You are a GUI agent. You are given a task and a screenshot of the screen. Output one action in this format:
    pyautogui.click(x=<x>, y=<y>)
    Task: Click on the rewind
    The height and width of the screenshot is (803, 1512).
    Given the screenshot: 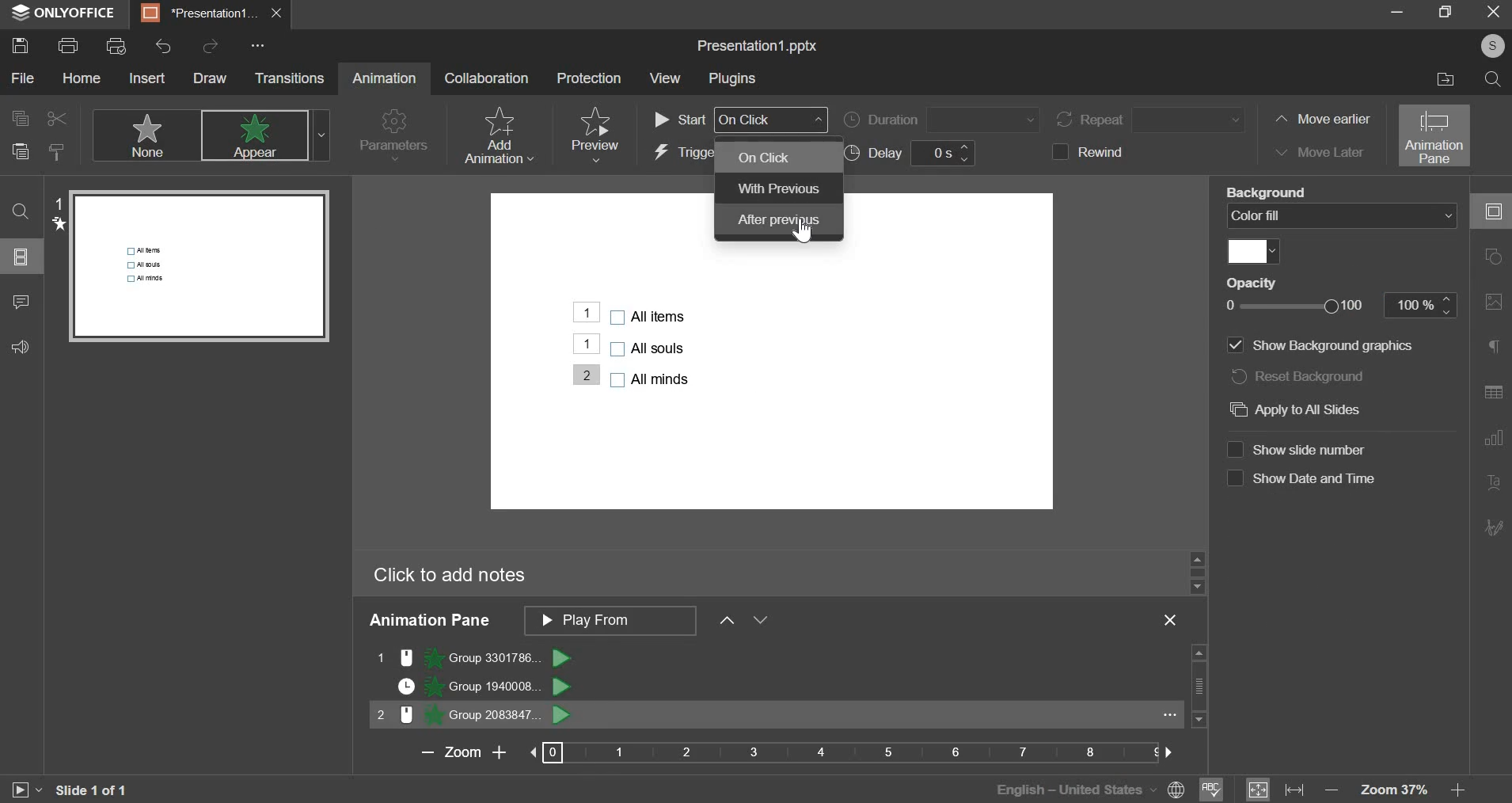 What is the action you would take?
    pyautogui.click(x=1095, y=151)
    